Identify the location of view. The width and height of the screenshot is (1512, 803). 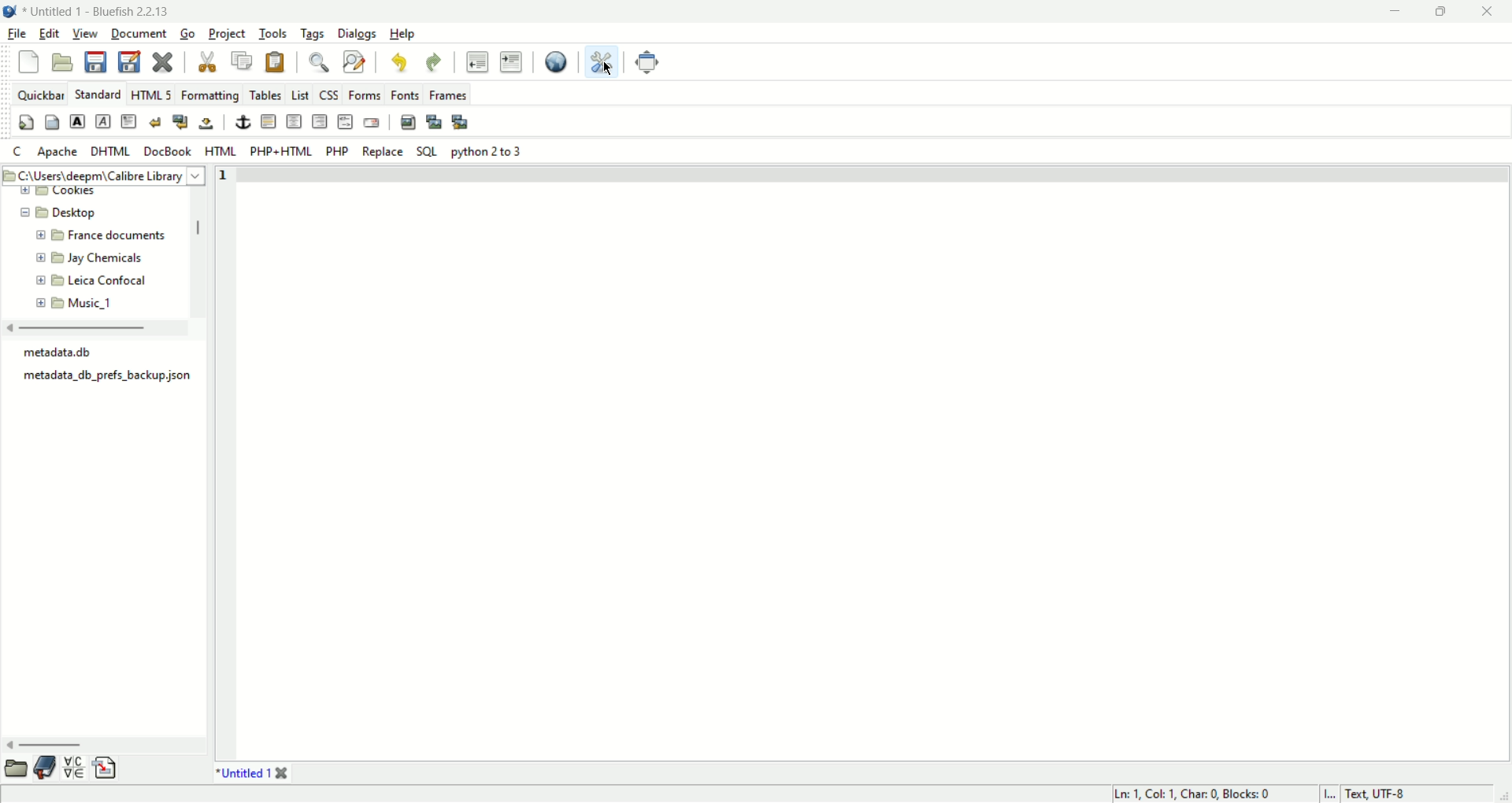
(86, 33).